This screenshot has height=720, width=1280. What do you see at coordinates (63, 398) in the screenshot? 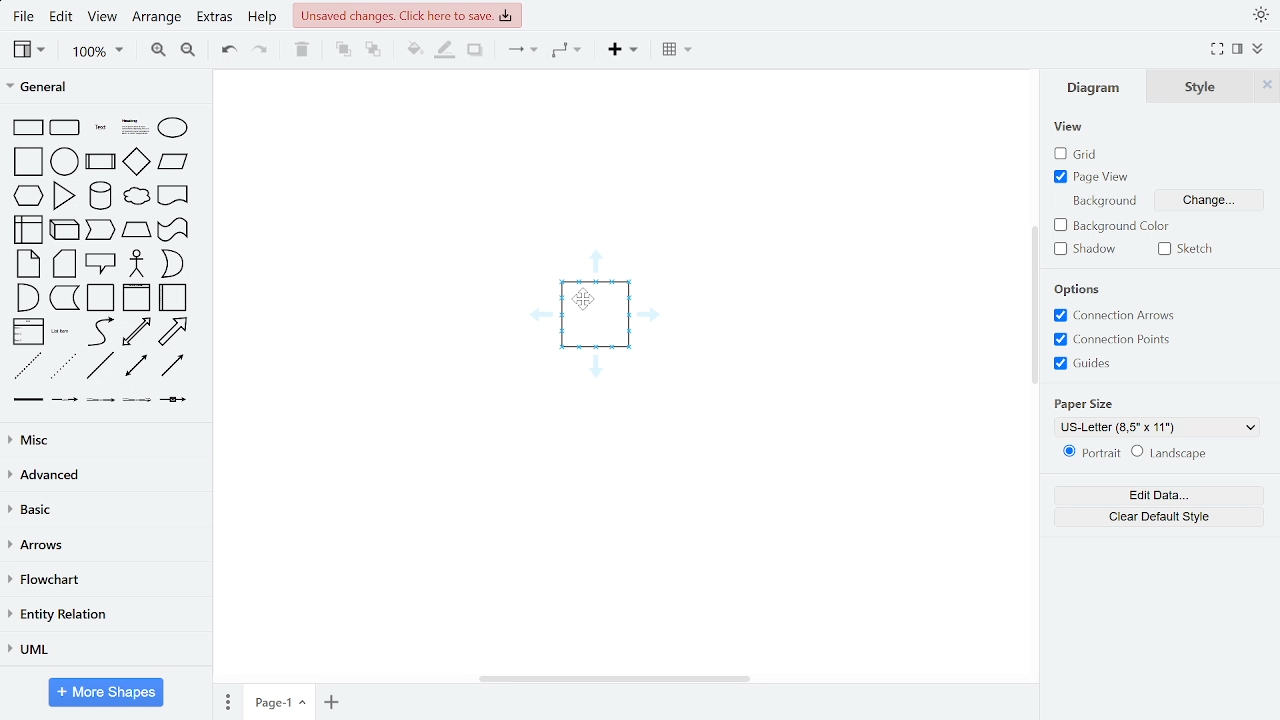
I see `` at bounding box center [63, 398].